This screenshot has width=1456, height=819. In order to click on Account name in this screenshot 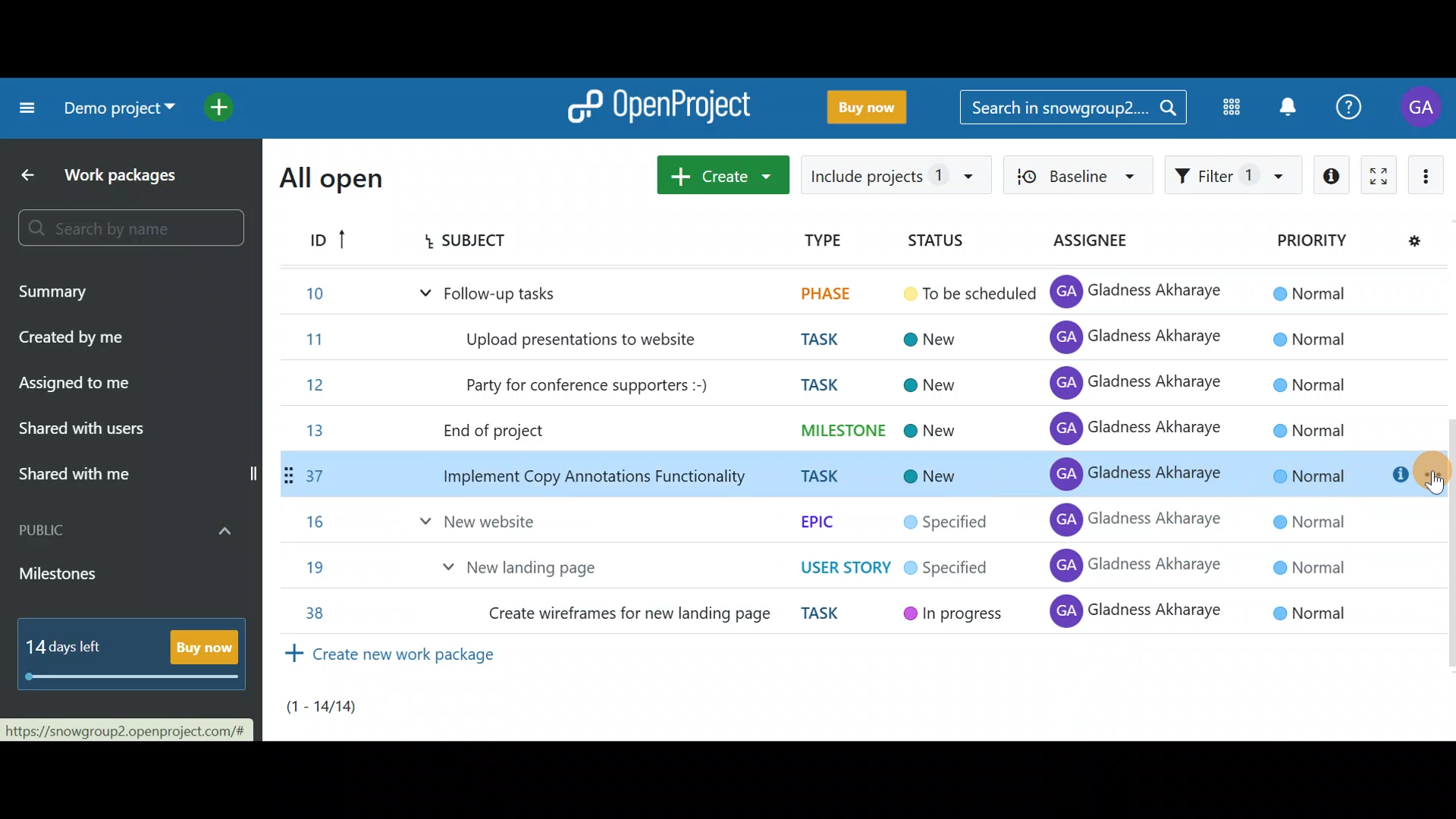, I will do `click(1421, 108)`.